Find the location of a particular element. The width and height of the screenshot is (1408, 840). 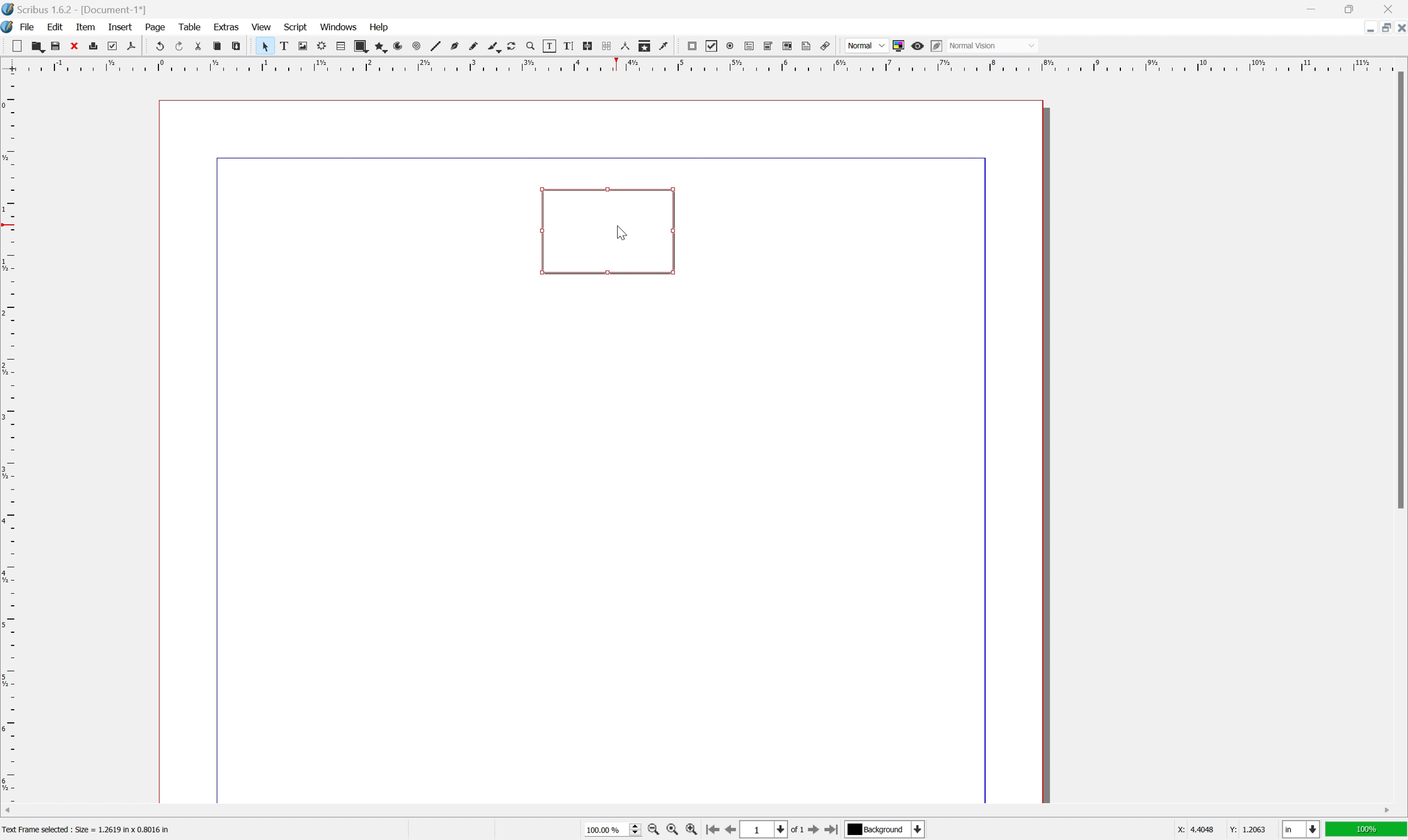

table is located at coordinates (190, 27).